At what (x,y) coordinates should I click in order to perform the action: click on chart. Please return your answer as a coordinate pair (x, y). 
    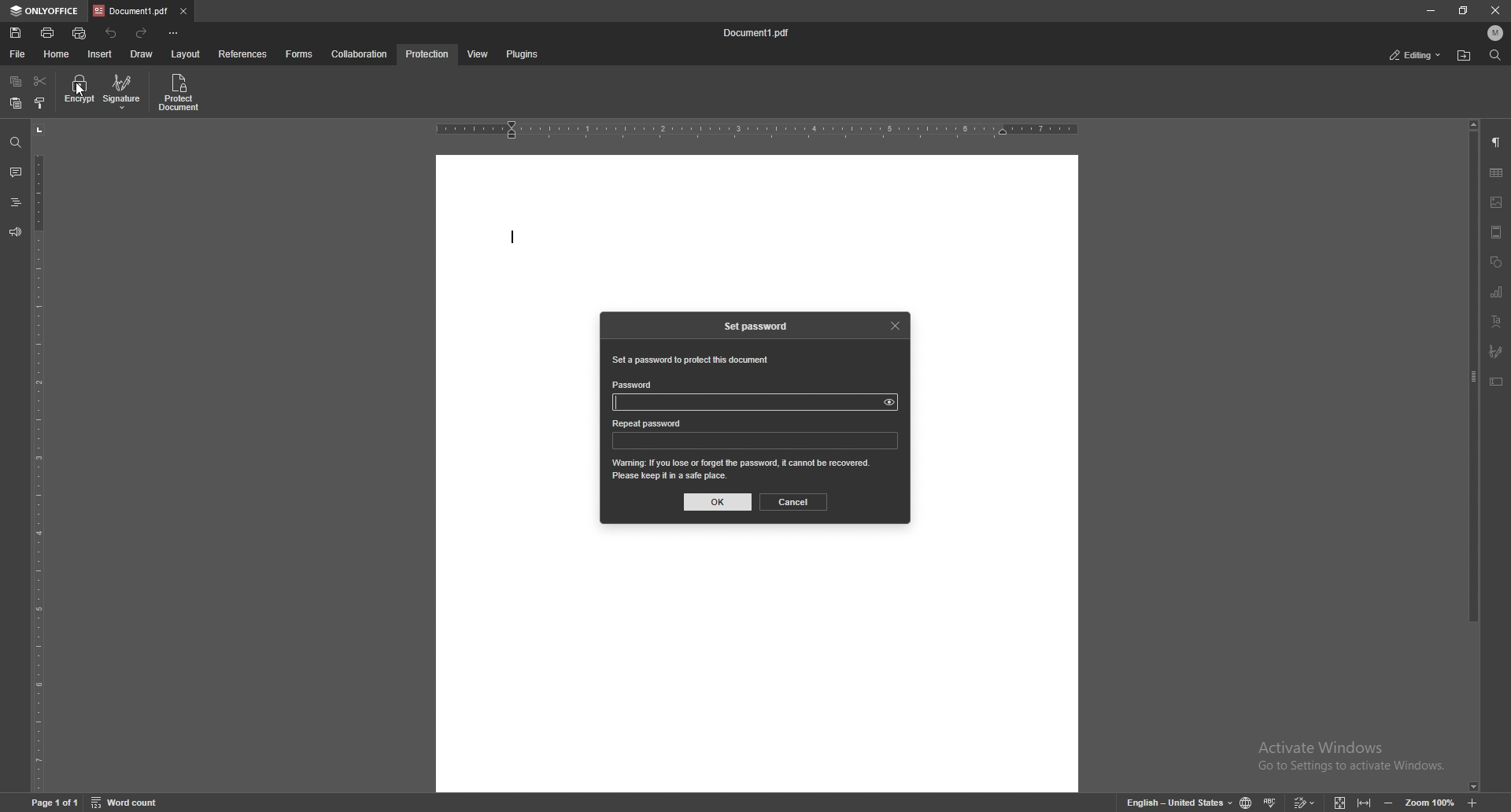
    Looking at the image, I should click on (1497, 291).